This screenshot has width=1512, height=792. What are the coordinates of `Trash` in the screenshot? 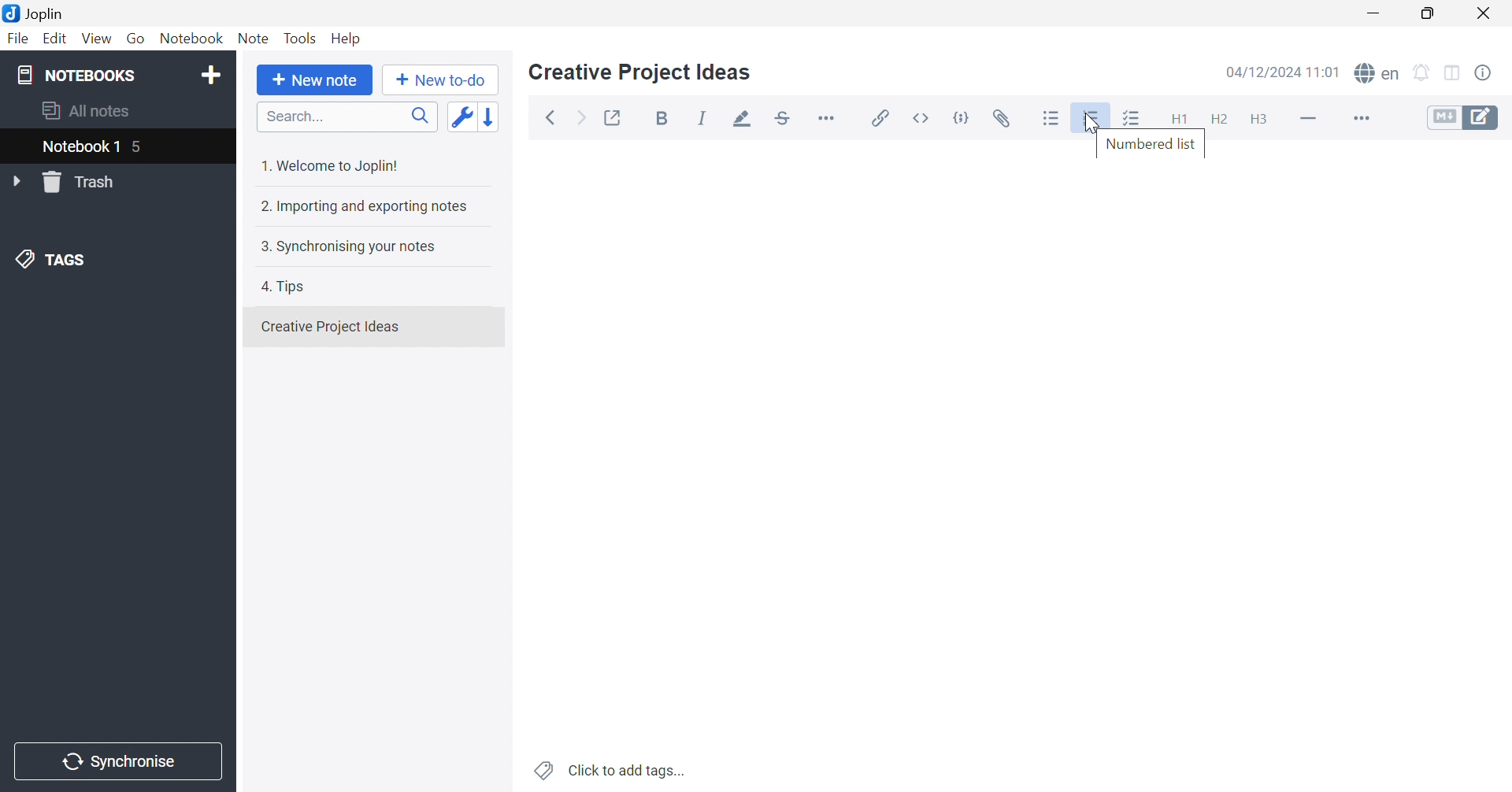 It's located at (84, 183).